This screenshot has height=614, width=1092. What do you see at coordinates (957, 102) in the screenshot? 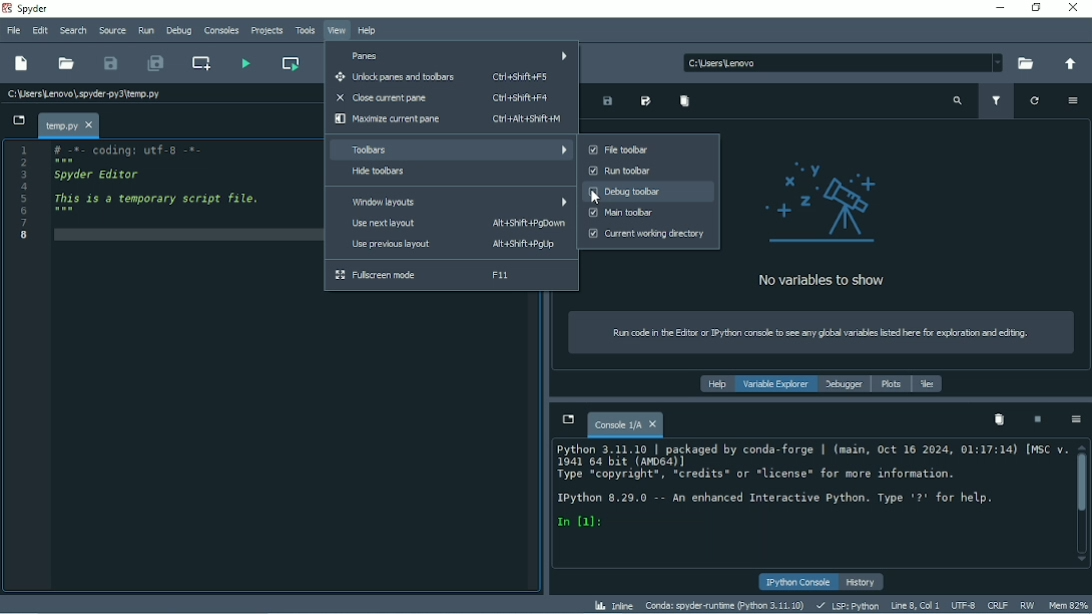
I see `Search variable names and types` at bounding box center [957, 102].